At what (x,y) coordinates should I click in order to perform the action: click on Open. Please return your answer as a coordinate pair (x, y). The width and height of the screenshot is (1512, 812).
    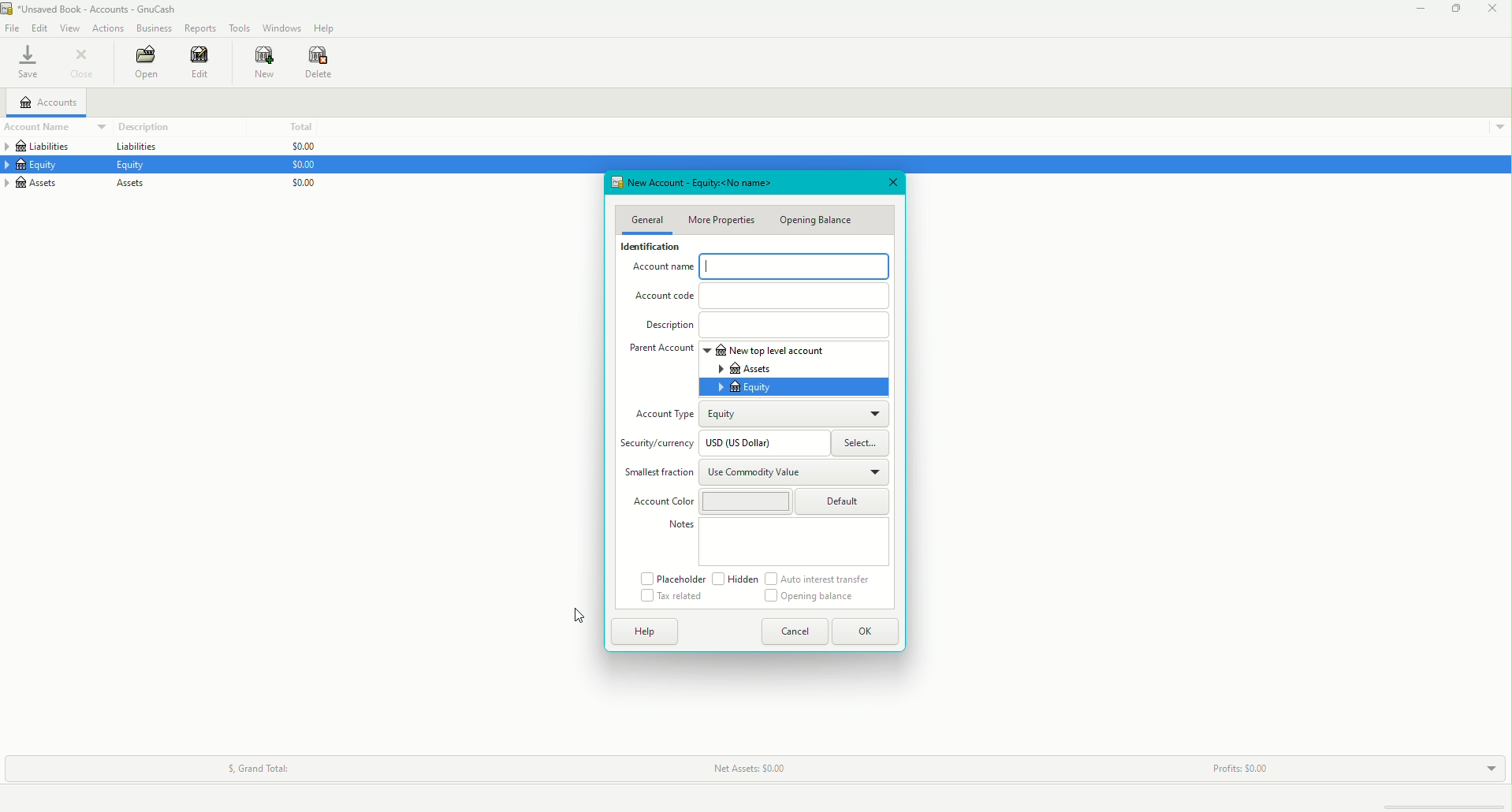
    Looking at the image, I should click on (142, 63).